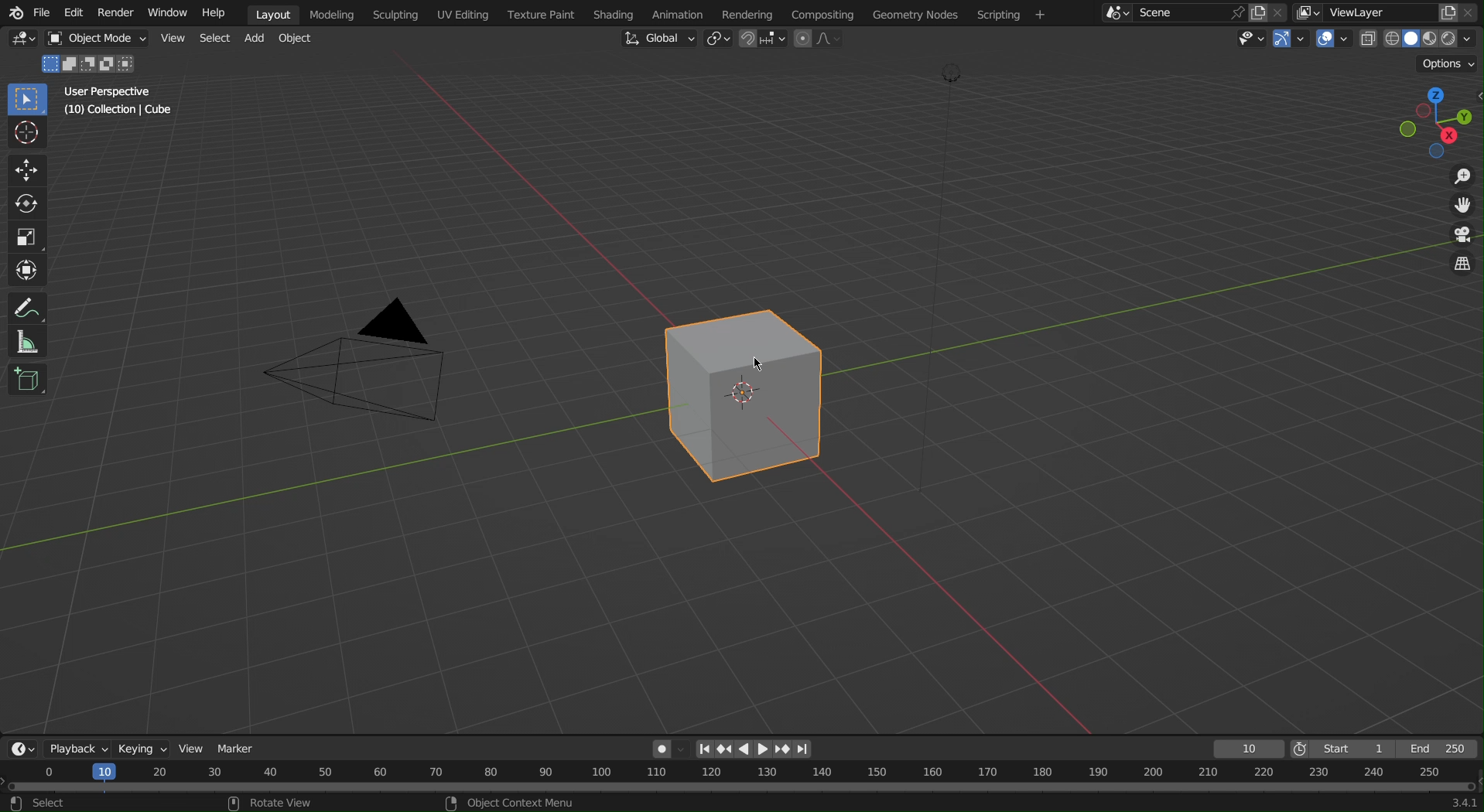 The image size is (1484, 812). I want to click on colse, so click(1284, 11).